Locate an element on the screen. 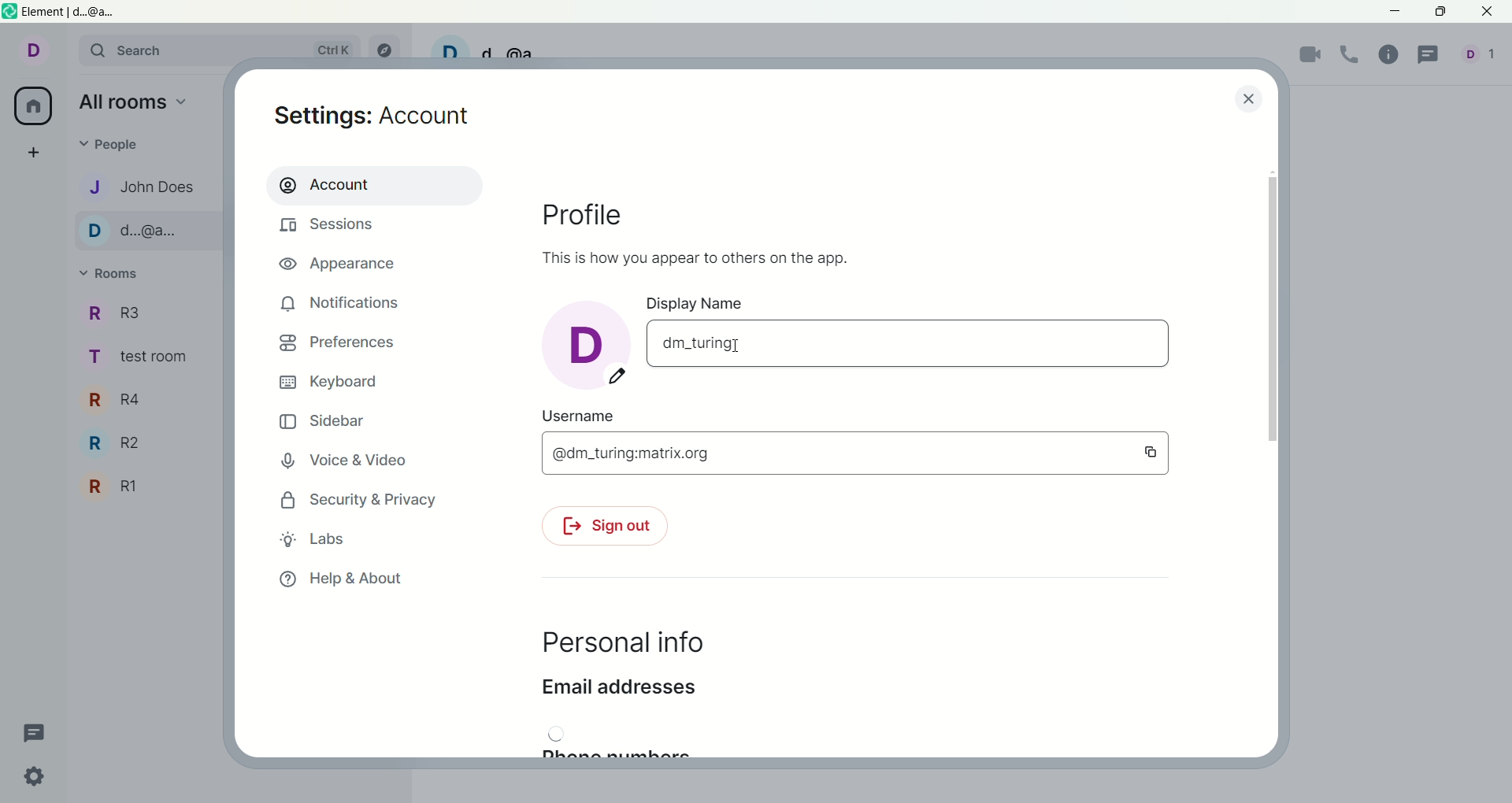 This screenshot has width=1512, height=803. dm_turing] is located at coordinates (906, 346).